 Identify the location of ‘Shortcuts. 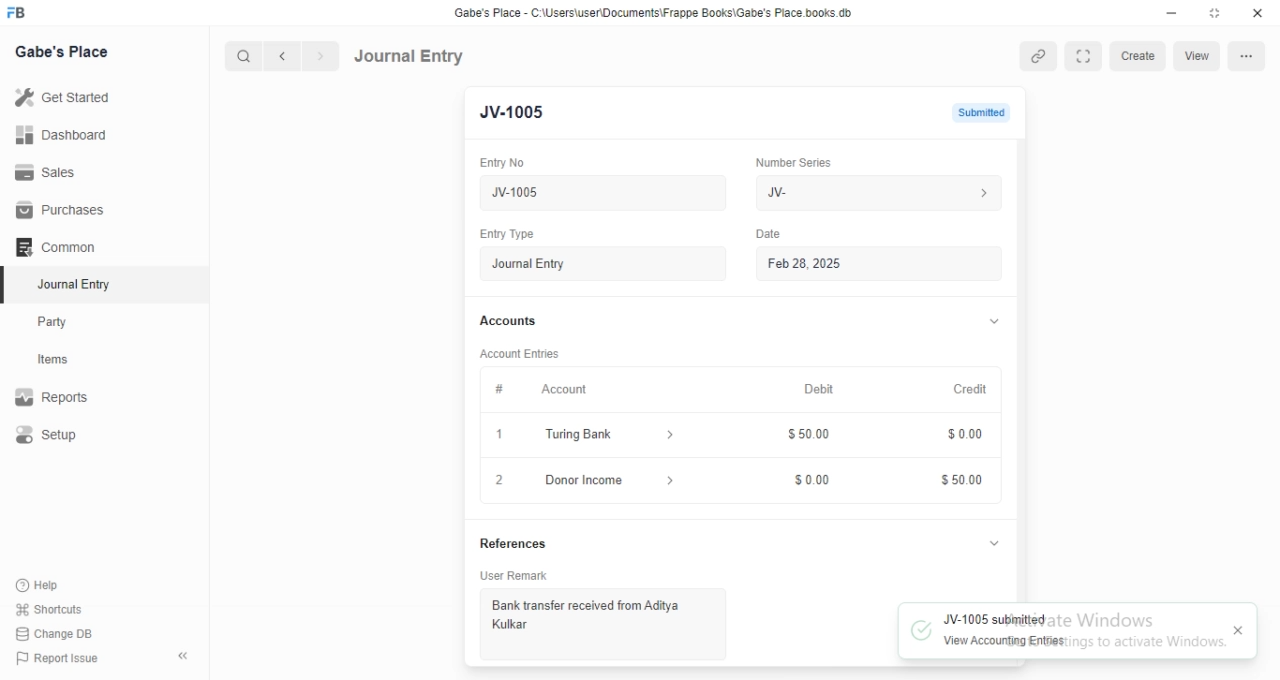
(62, 609).